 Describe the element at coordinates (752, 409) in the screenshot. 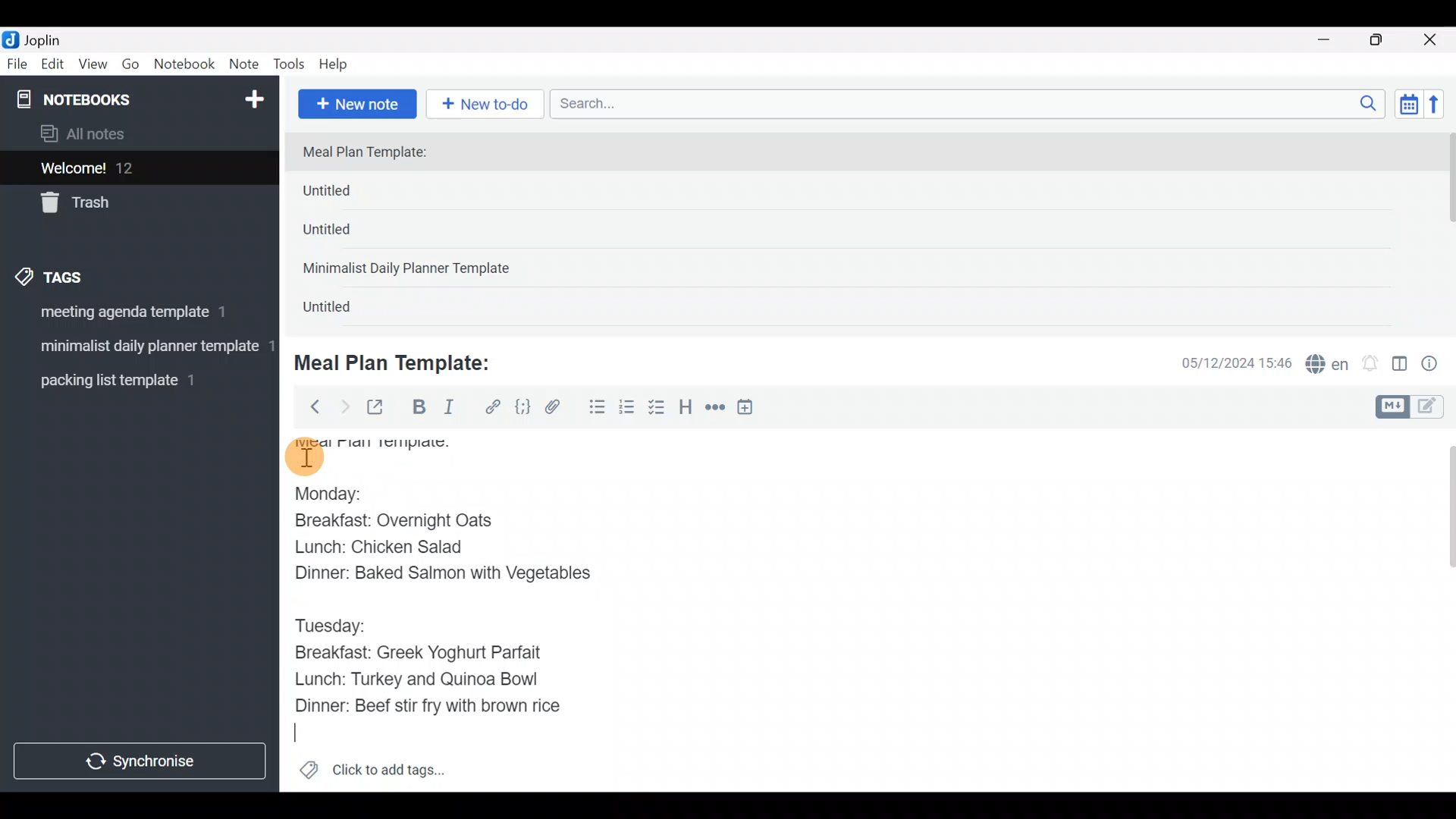

I see `Insert time` at that location.